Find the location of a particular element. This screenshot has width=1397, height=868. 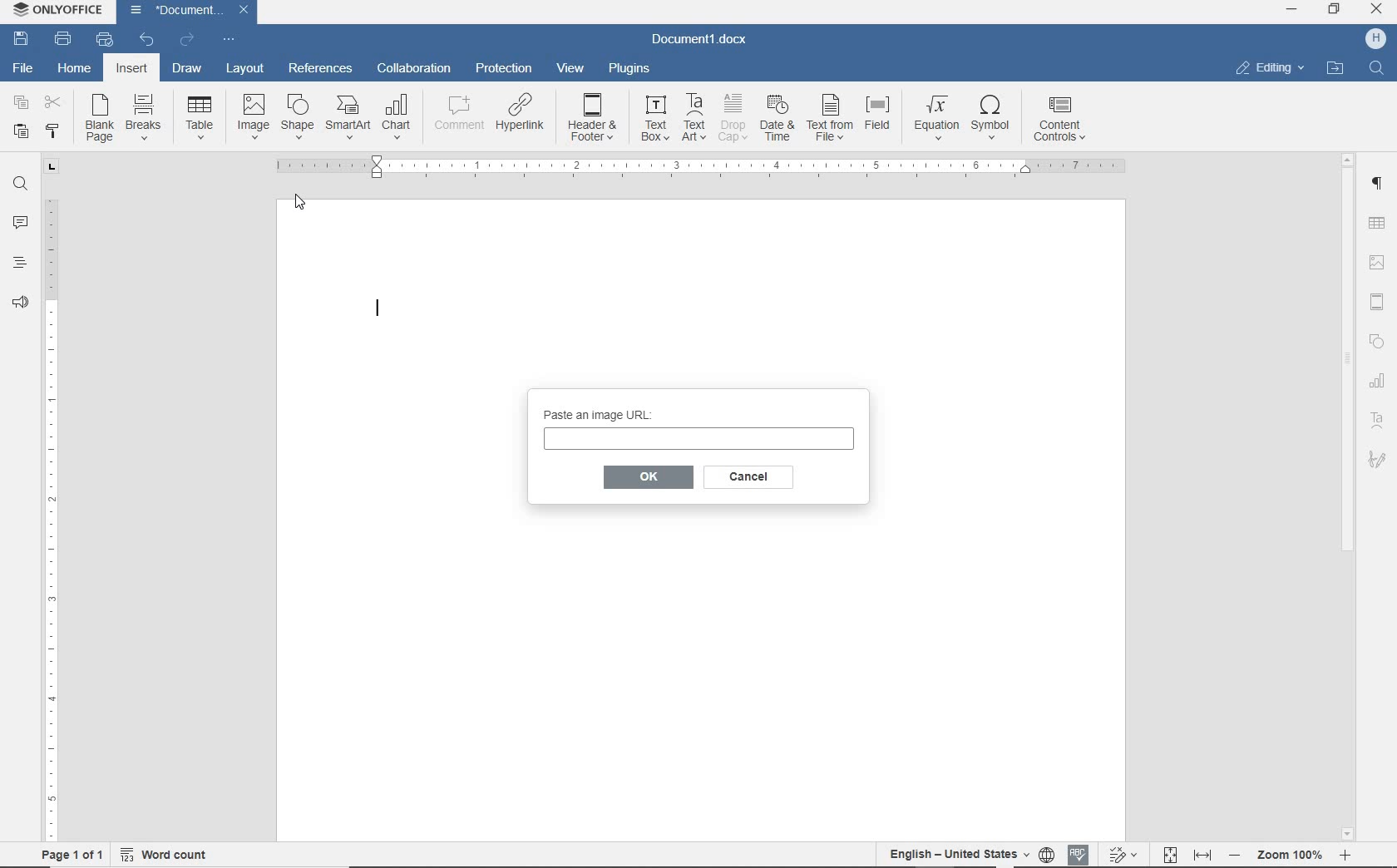

equation is located at coordinates (935, 116).